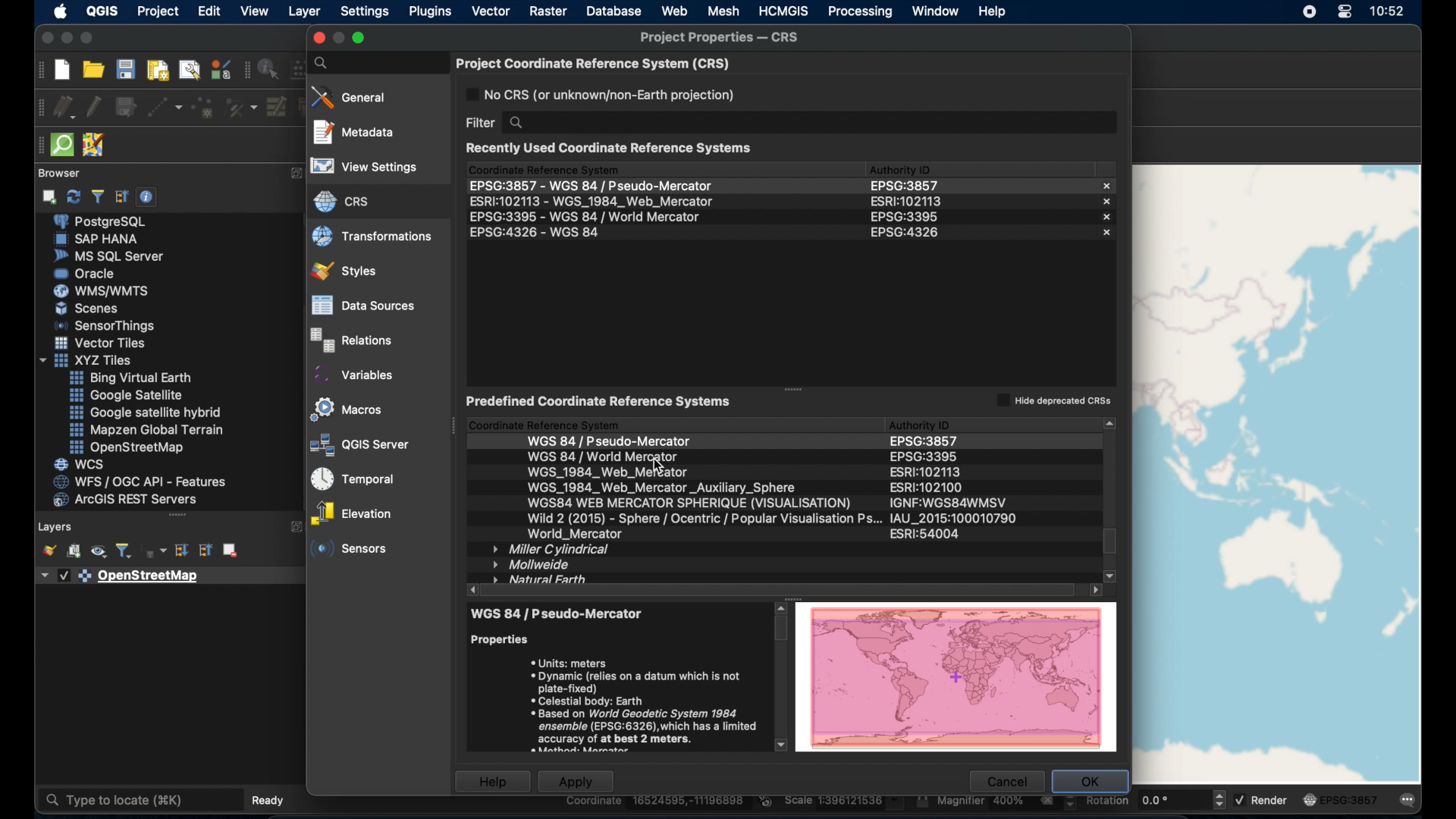 The width and height of the screenshot is (1456, 819). Describe the element at coordinates (902, 168) in the screenshot. I see `authority id` at that location.